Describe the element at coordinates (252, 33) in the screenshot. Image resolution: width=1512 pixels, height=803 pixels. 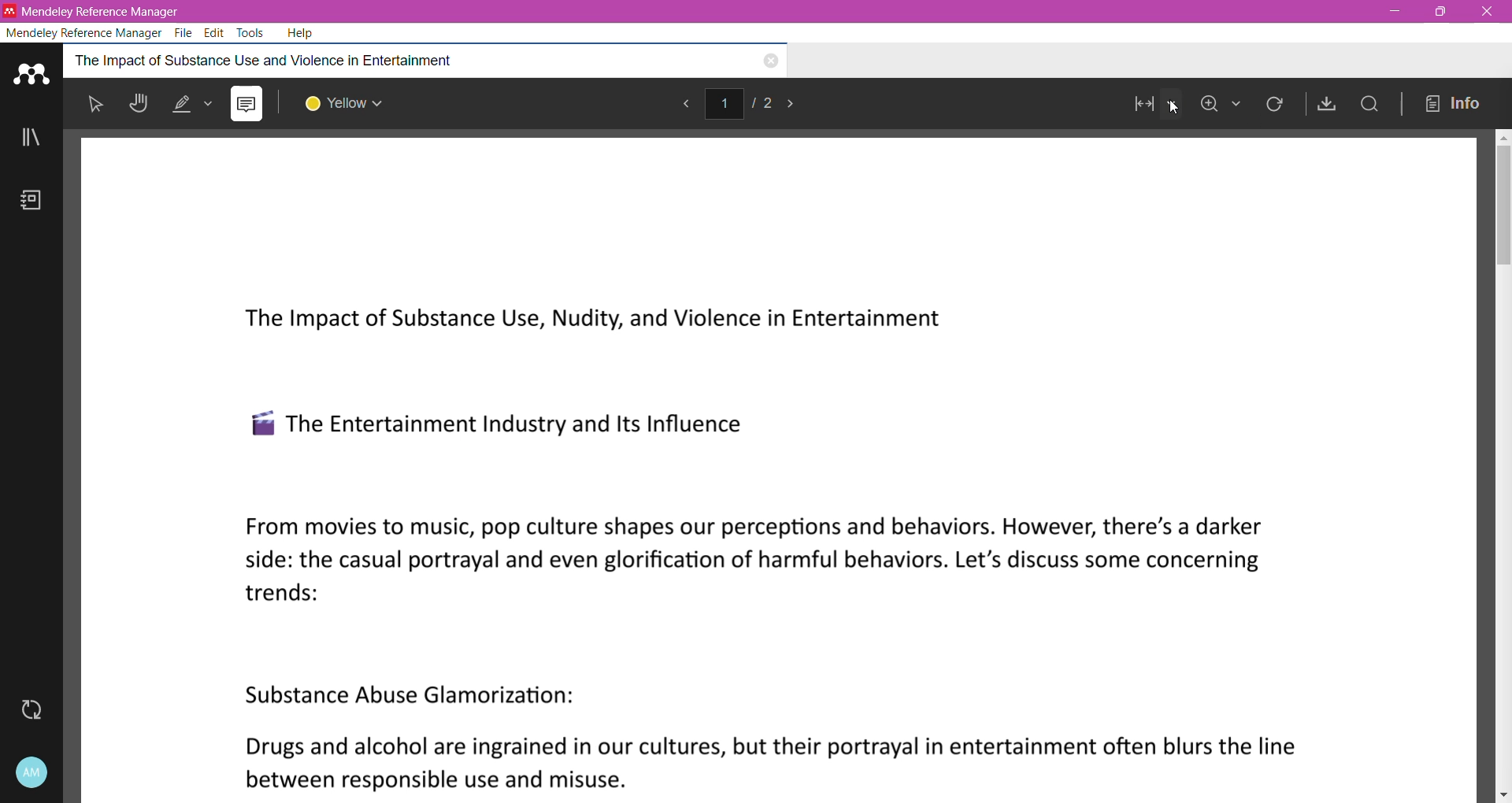
I see `Tools` at that location.